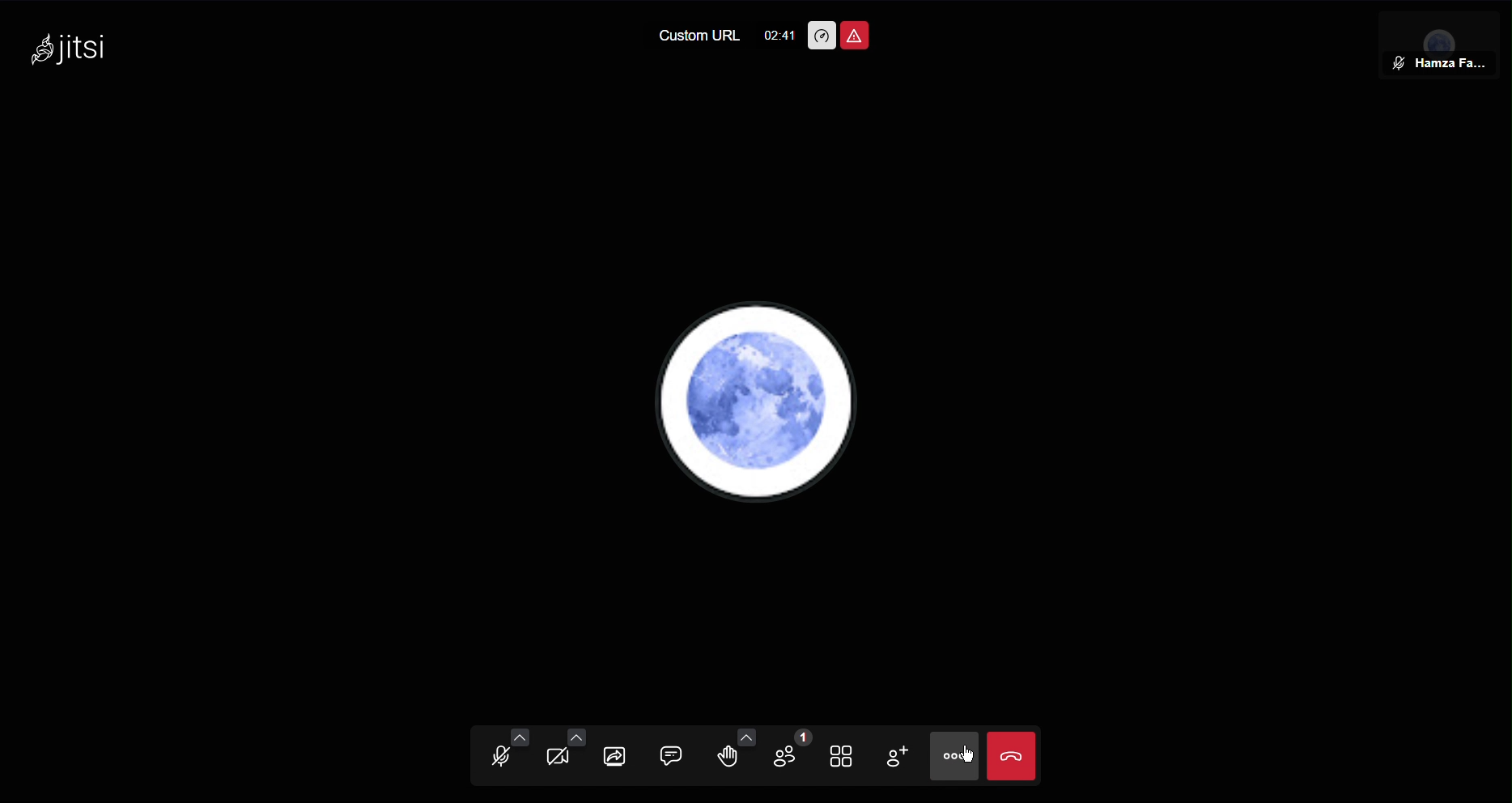 The height and width of the screenshot is (803, 1512). Describe the element at coordinates (672, 755) in the screenshot. I see `Chat` at that location.